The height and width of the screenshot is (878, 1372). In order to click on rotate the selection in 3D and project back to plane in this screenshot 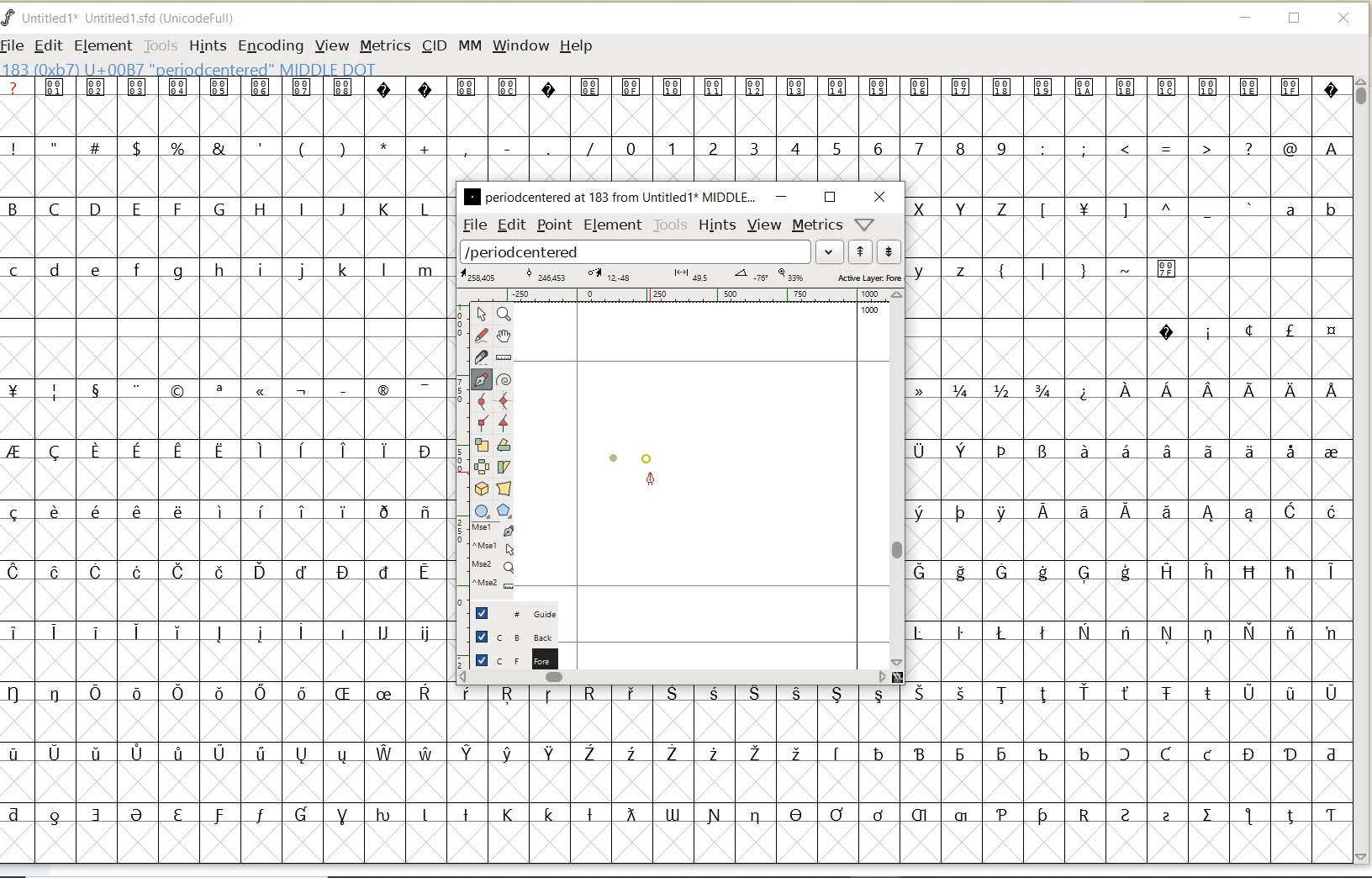, I will do `click(481, 488)`.